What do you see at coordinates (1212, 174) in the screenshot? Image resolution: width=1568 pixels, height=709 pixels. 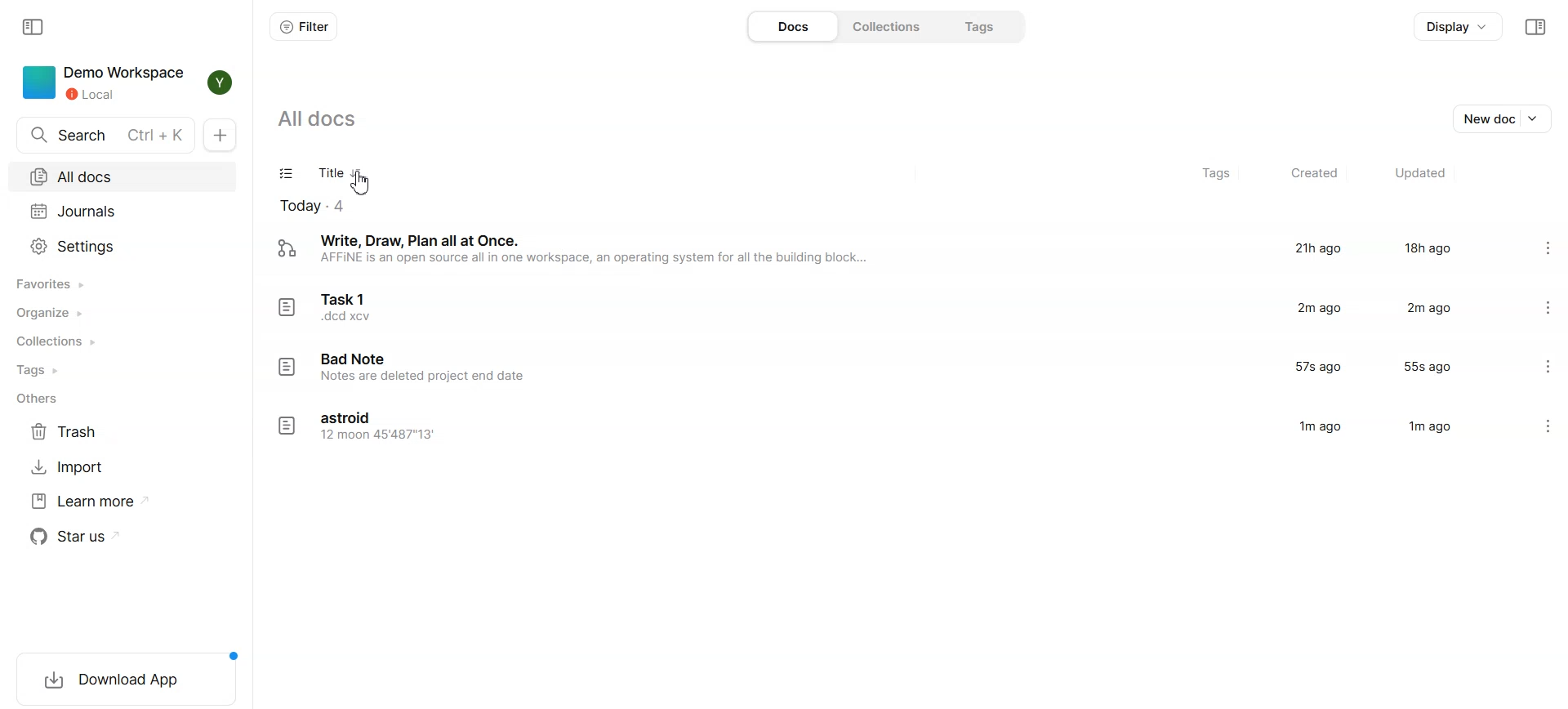 I see `Tags` at bounding box center [1212, 174].